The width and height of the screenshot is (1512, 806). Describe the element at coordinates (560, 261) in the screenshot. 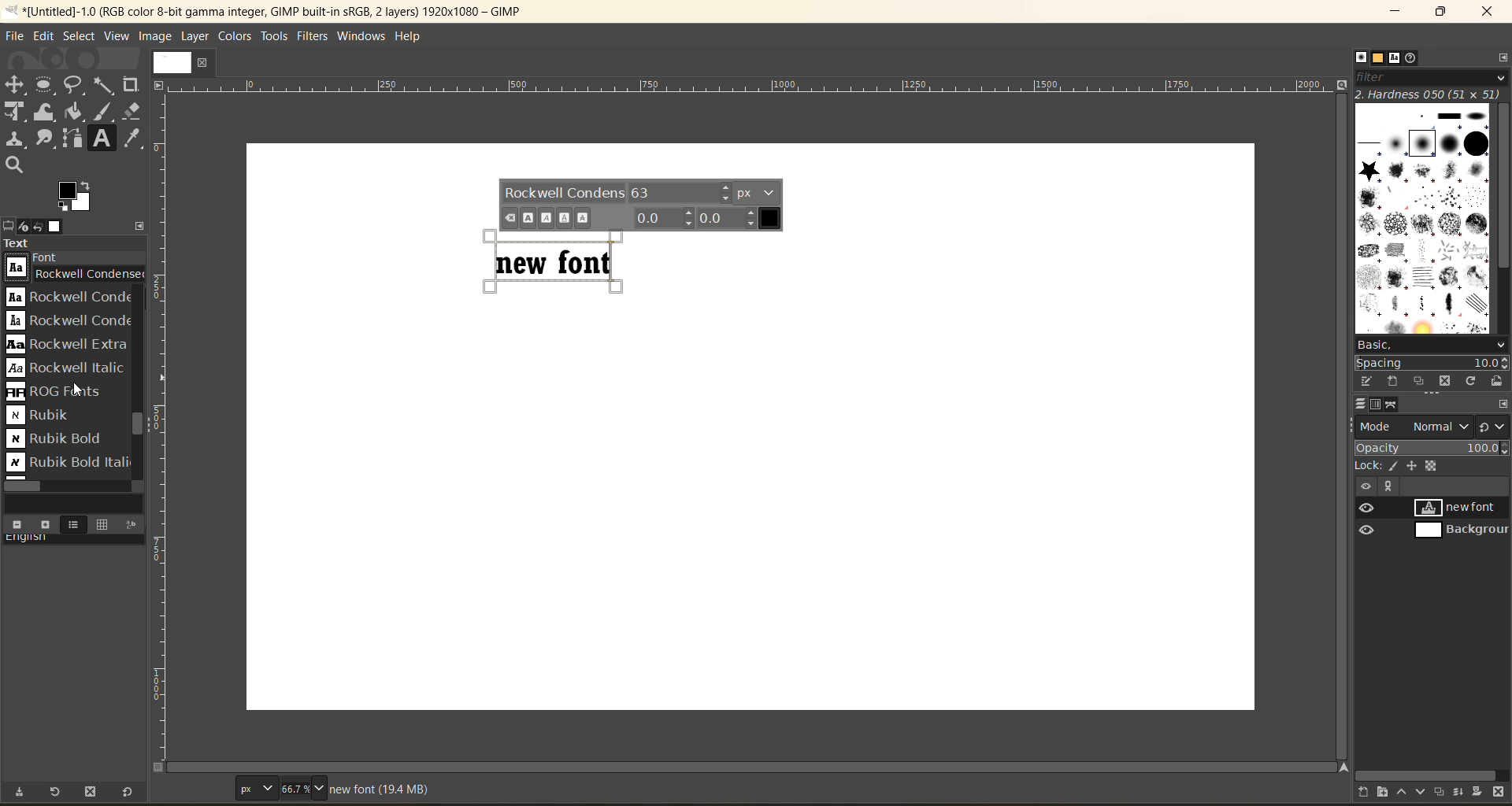

I see `text ` at that location.